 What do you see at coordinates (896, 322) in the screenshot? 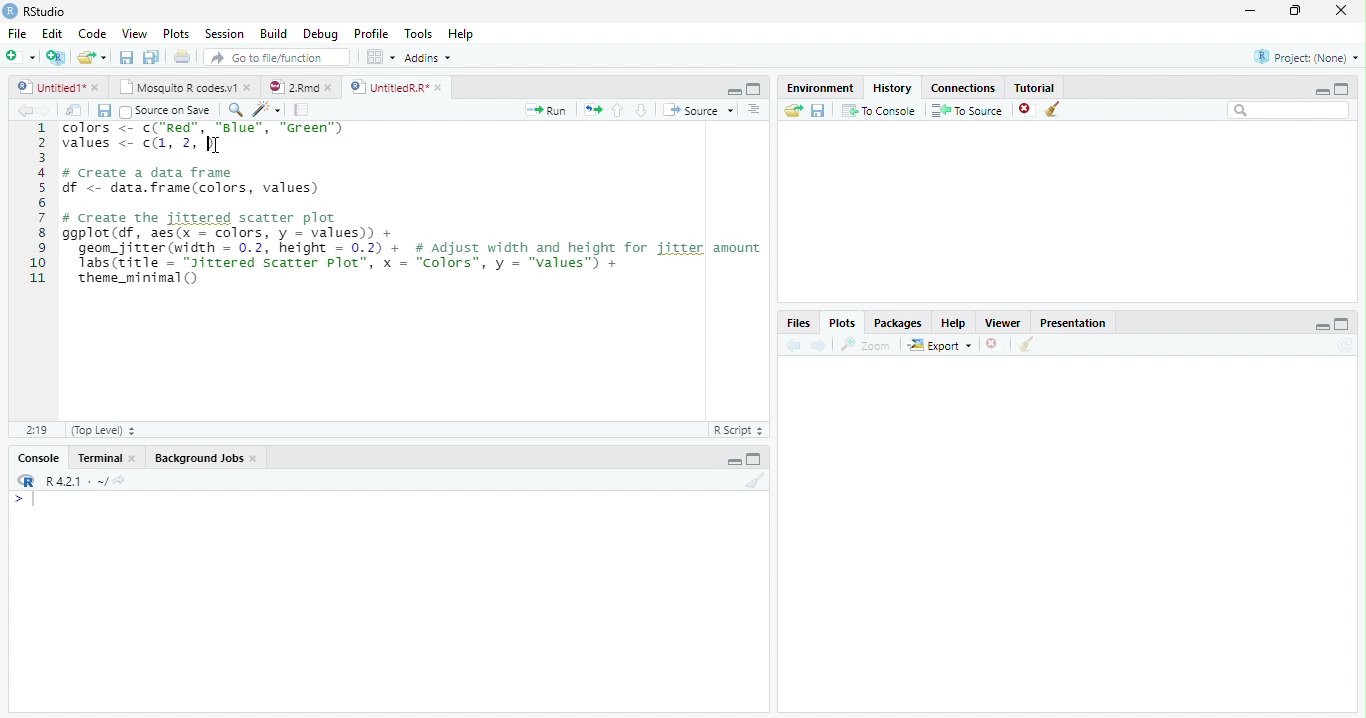
I see `Packages` at bounding box center [896, 322].